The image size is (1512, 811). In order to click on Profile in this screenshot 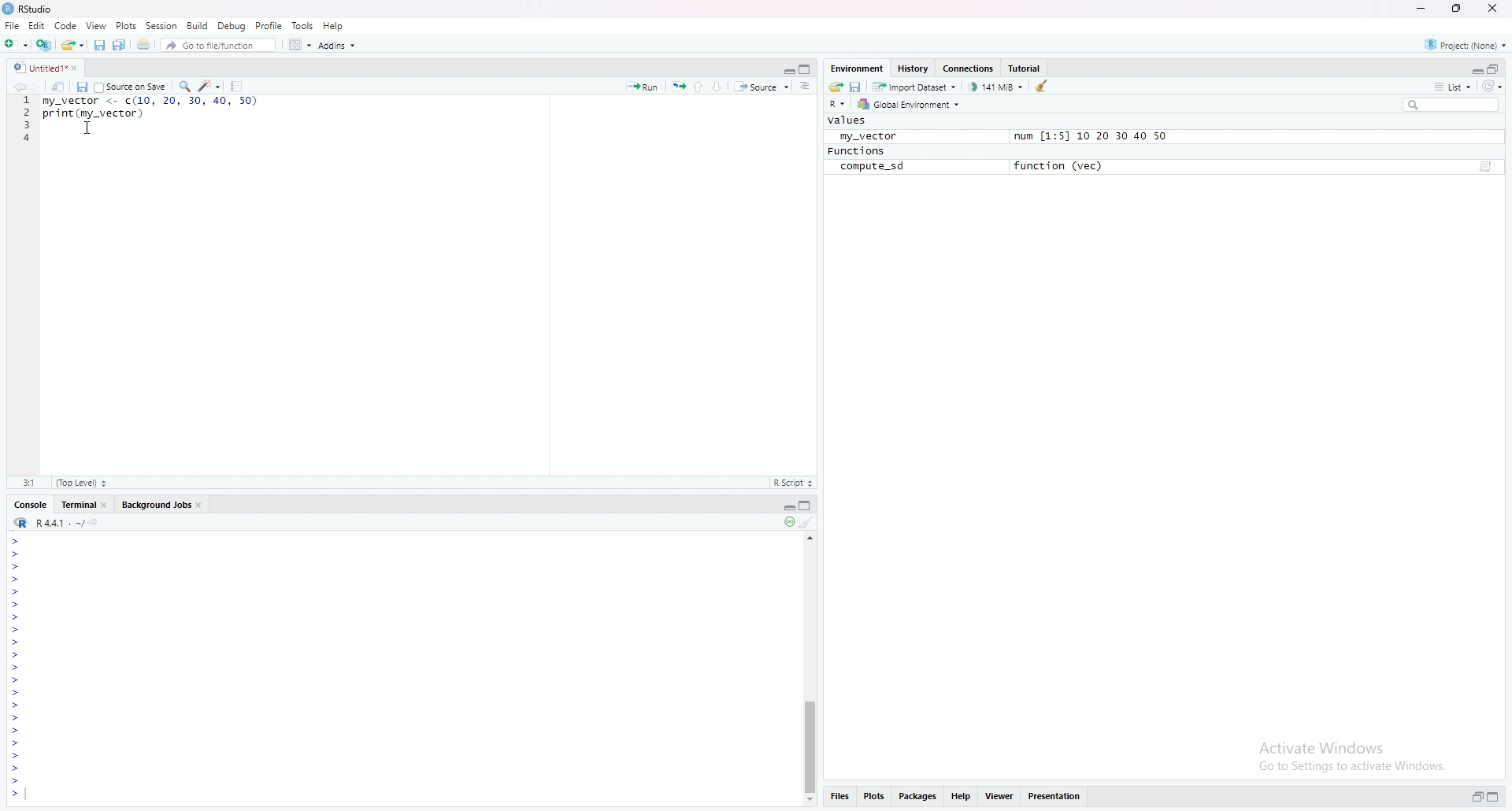, I will do `click(269, 25)`.